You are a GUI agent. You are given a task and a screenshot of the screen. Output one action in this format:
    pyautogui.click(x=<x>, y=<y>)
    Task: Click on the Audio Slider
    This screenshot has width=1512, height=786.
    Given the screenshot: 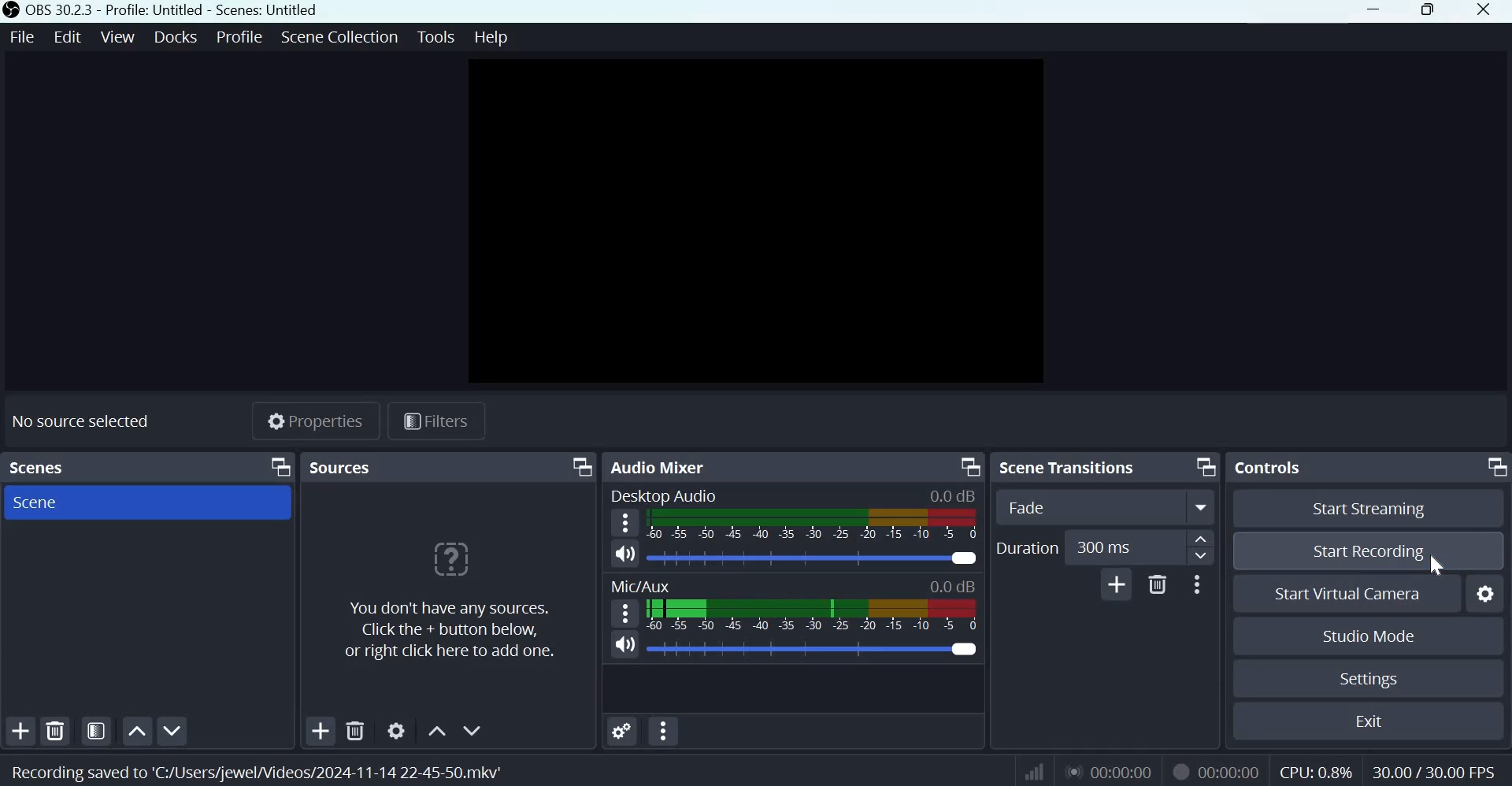 What is the action you would take?
    pyautogui.click(x=963, y=558)
    